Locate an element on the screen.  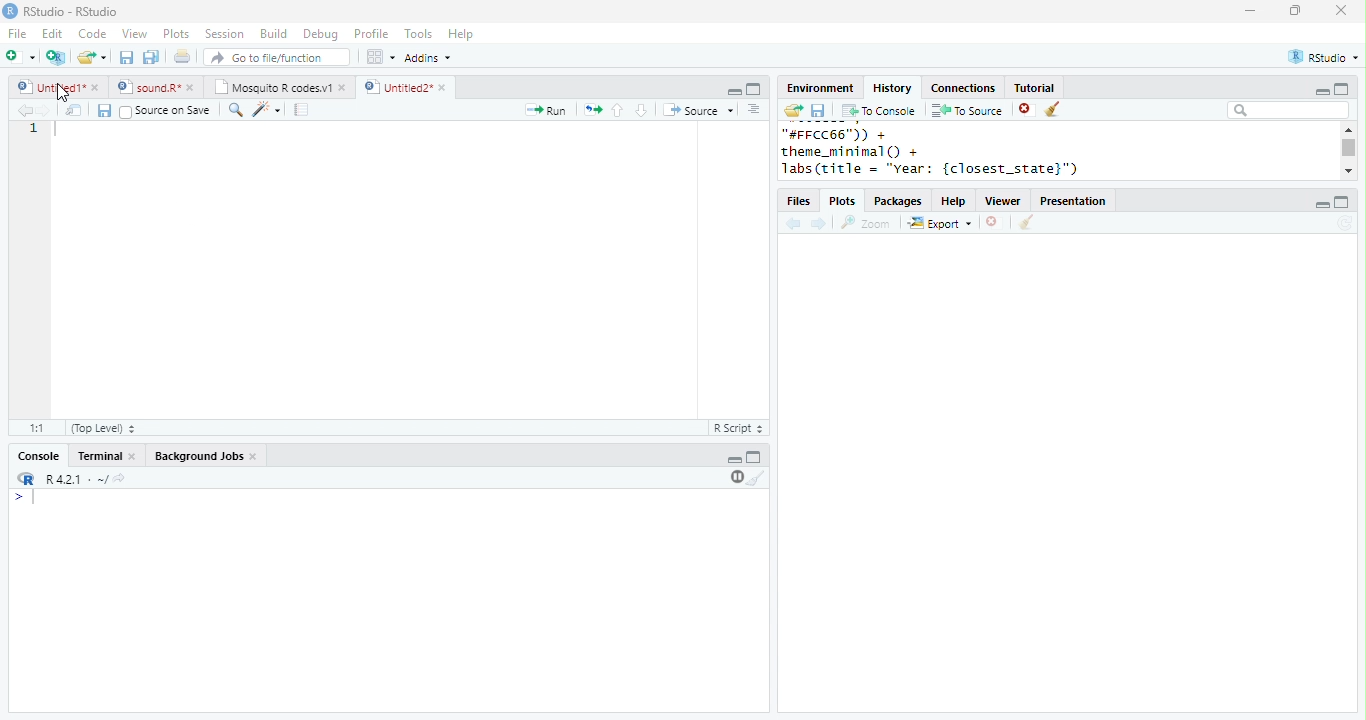
clear is located at coordinates (1052, 109).